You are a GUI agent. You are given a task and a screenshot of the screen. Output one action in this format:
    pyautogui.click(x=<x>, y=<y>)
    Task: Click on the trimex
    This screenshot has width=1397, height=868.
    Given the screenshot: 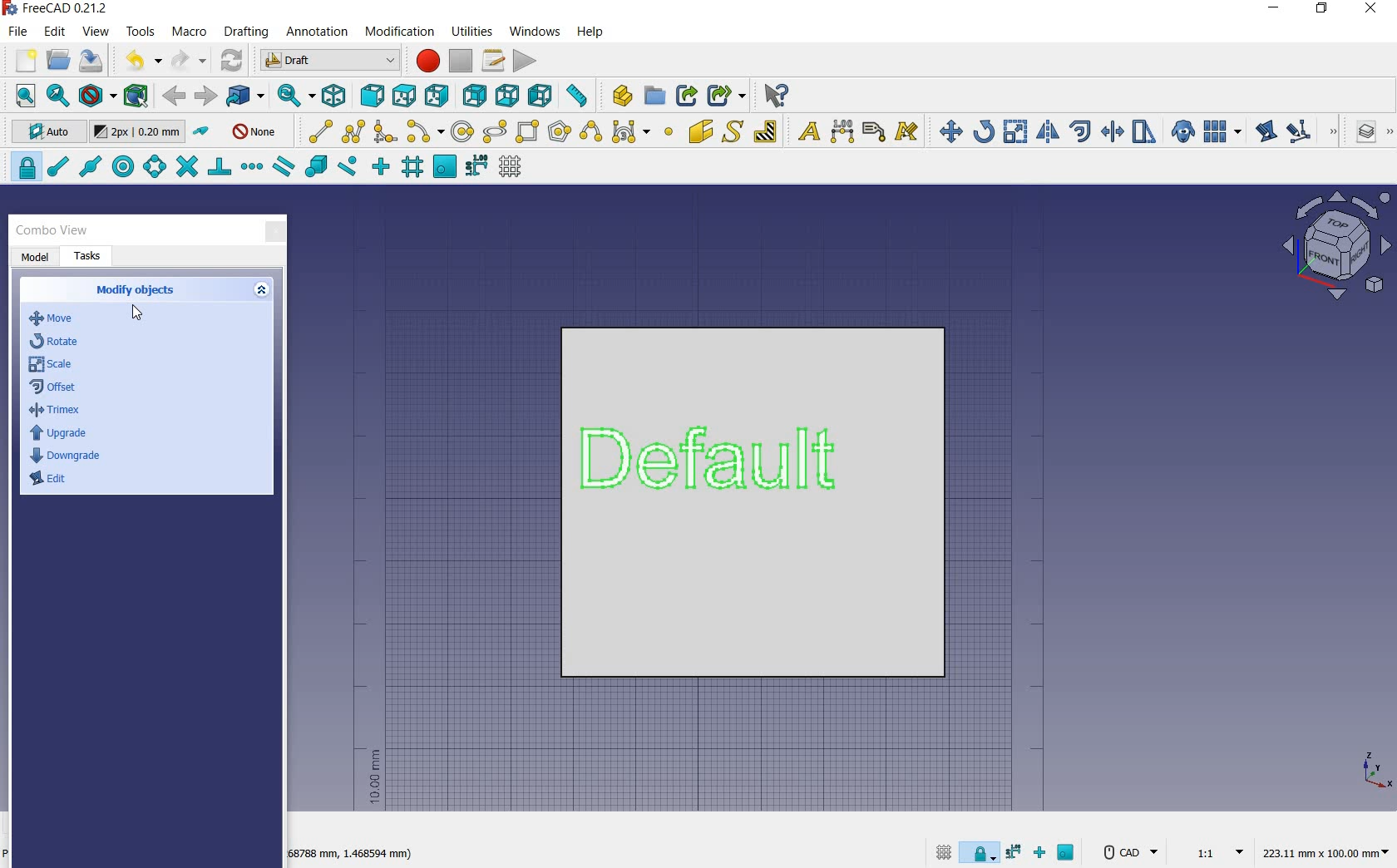 What is the action you would take?
    pyautogui.click(x=1111, y=133)
    